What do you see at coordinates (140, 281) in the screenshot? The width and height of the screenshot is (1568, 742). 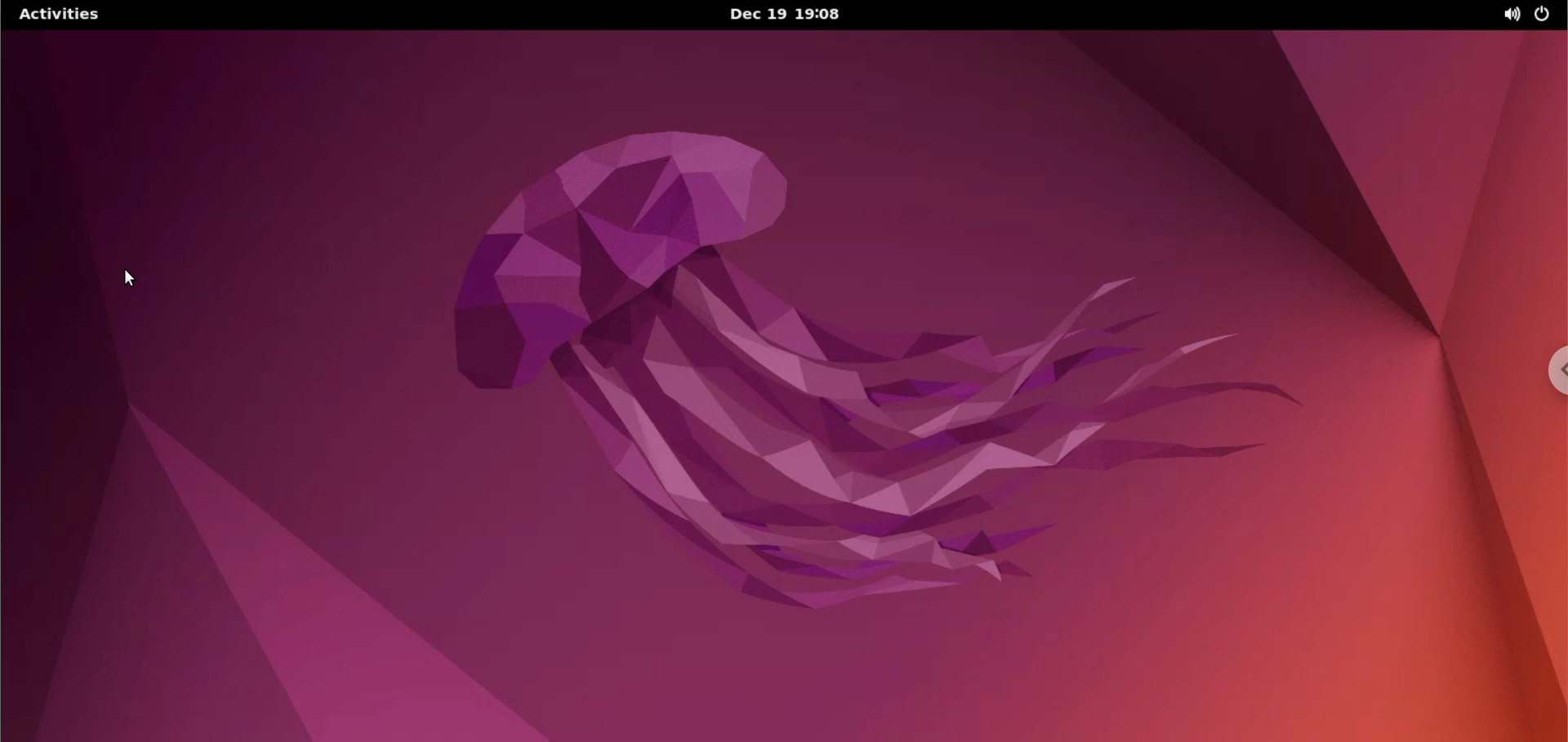 I see `cursor` at bounding box center [140, 281].